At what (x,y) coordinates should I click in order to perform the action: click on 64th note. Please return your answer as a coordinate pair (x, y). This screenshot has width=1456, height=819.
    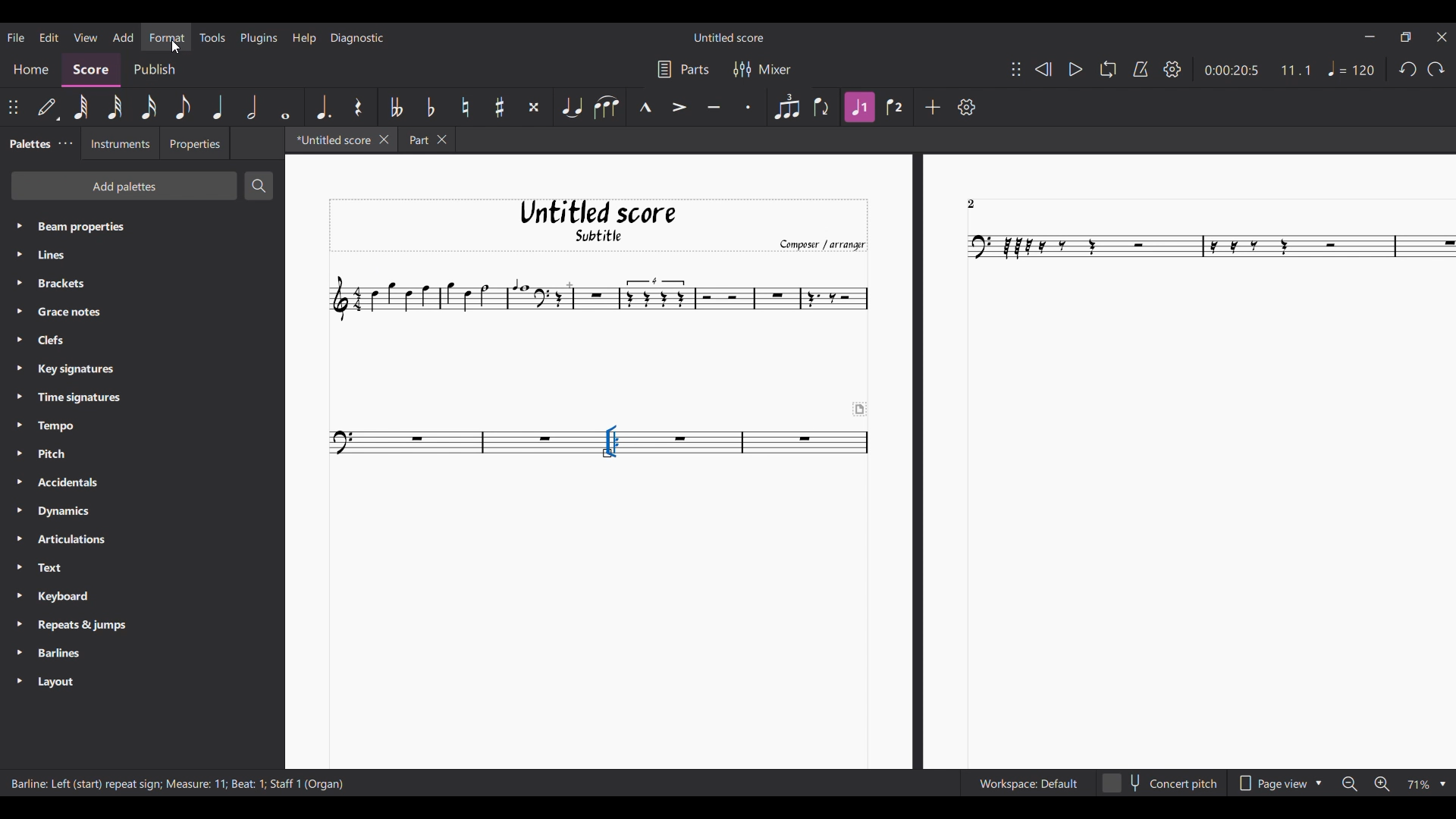
    Looking at the image, I should click on (80, 107).